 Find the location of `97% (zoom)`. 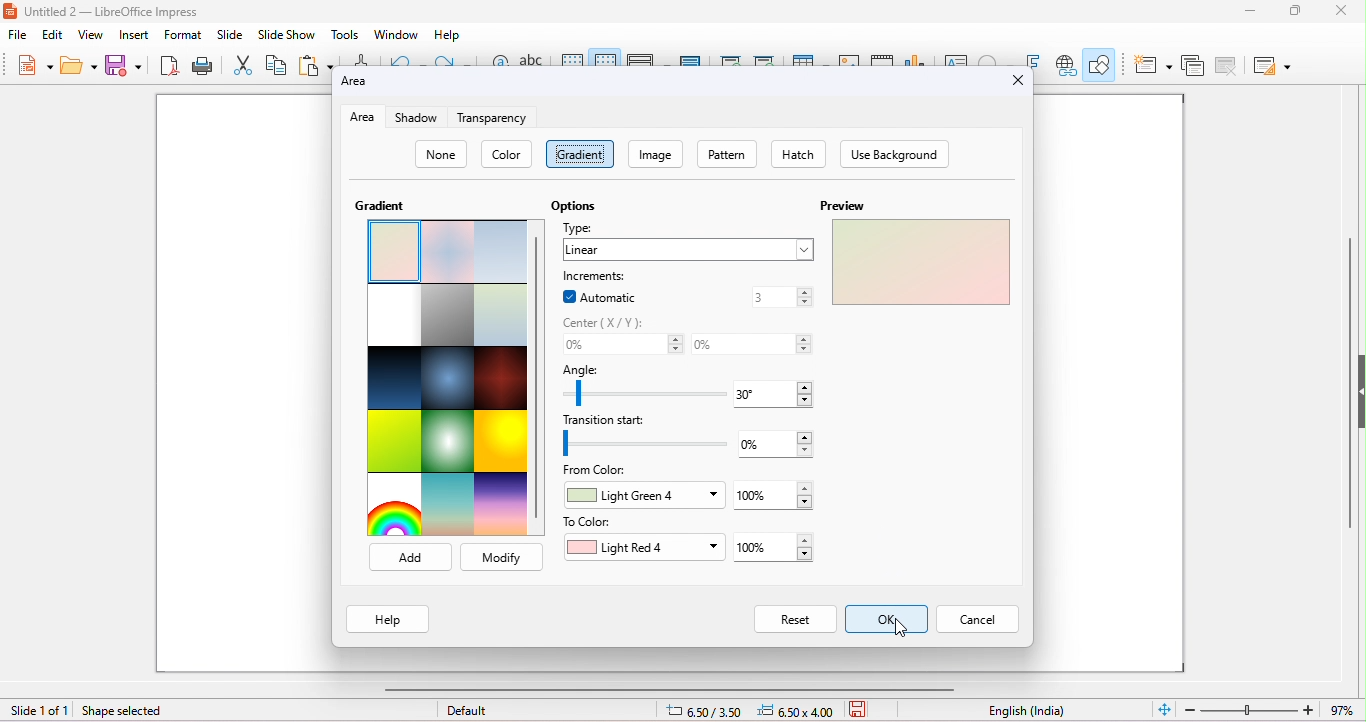

97% (zoom) is located at coordinates (1268, 710).